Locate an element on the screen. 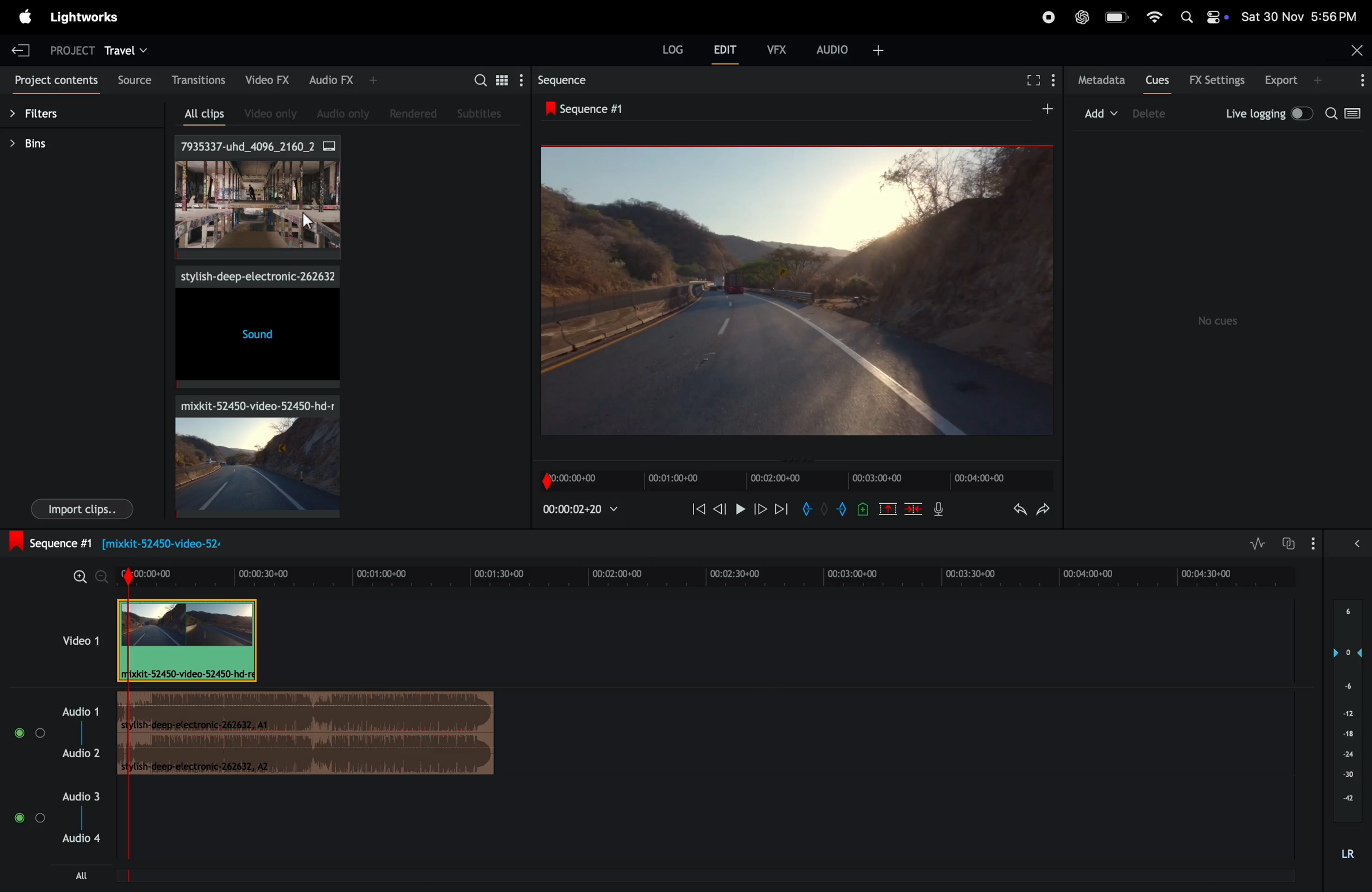 The height and width of the screenshot is (892, 1372). previous frame is located at coordinates (721, 509).